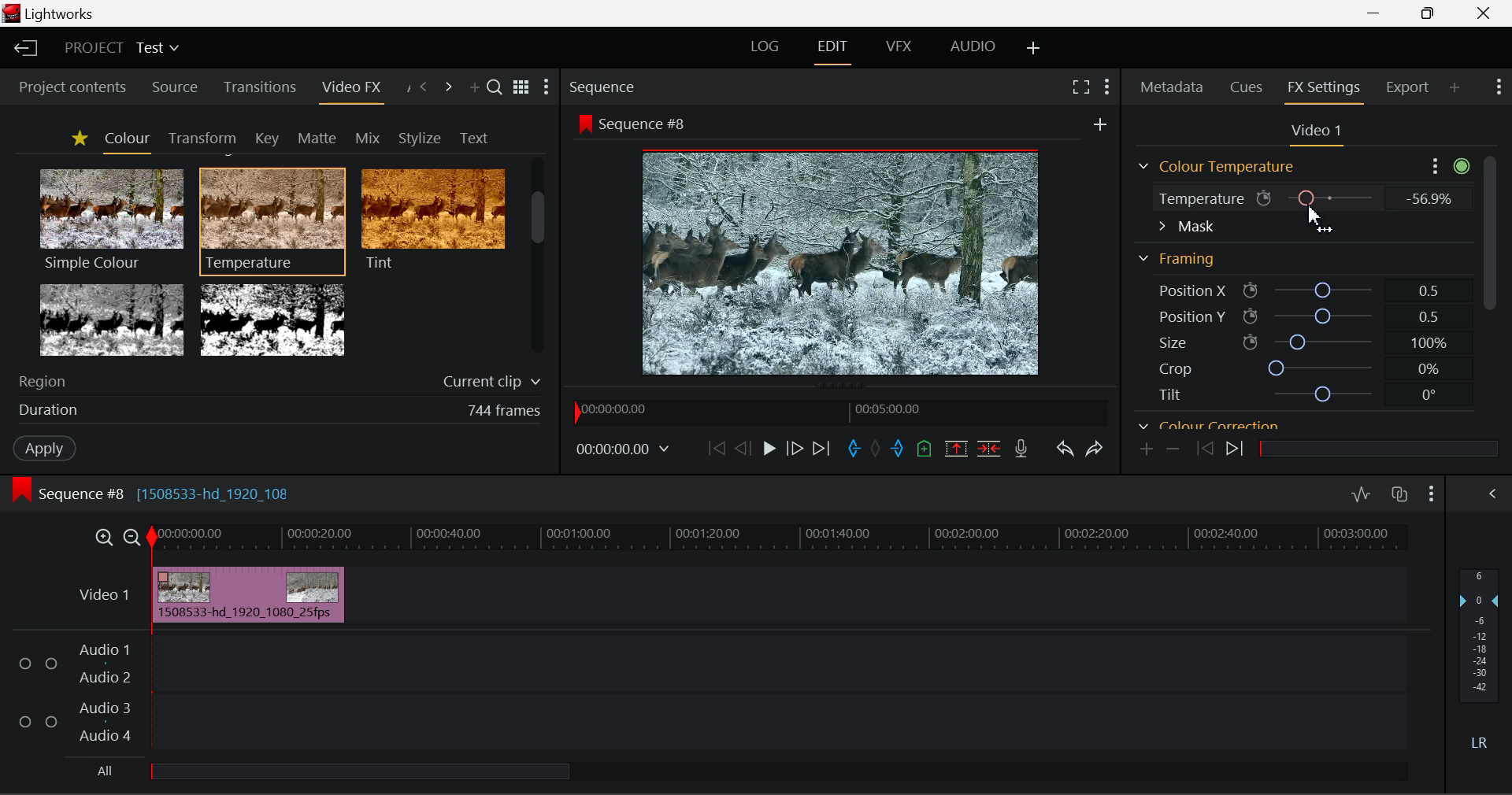  Describe the element at coordinates (258, 87) in the screenshot. I see `Transitions` at that location.